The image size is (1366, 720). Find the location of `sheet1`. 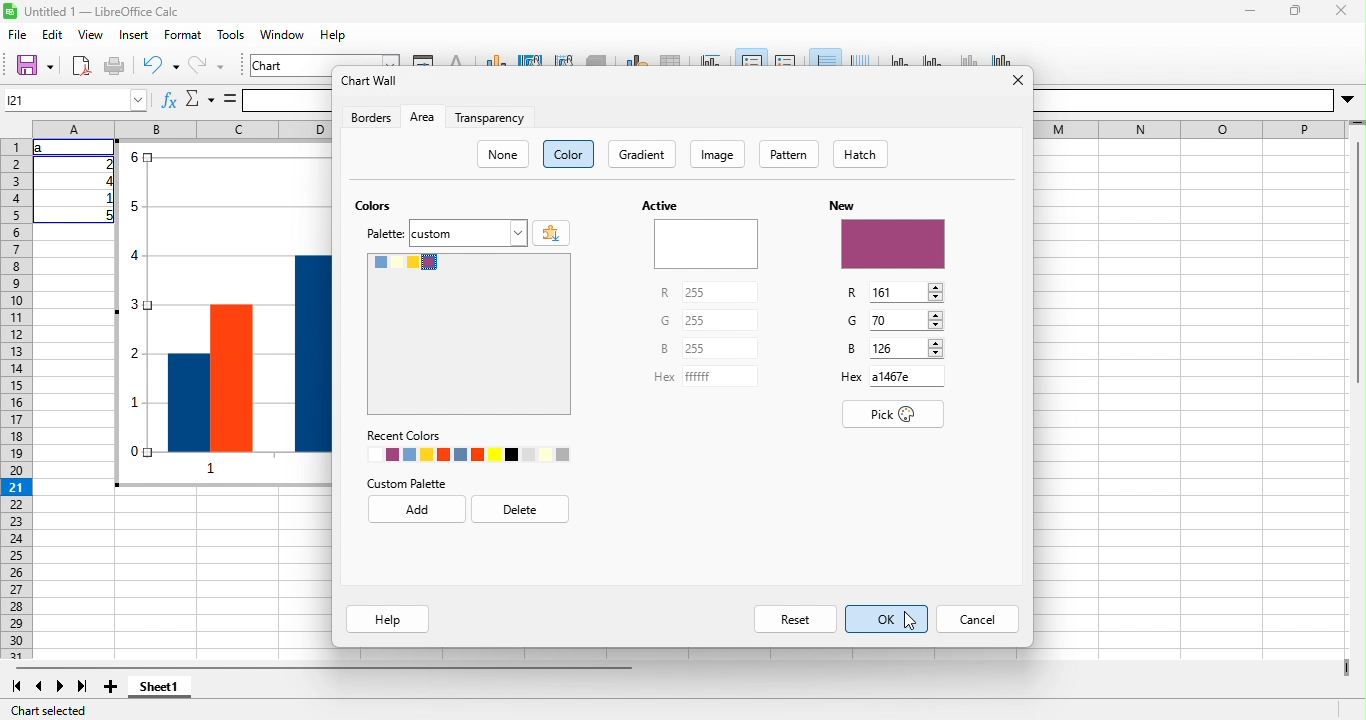

sheet1 is located at coordinates (159, 686).